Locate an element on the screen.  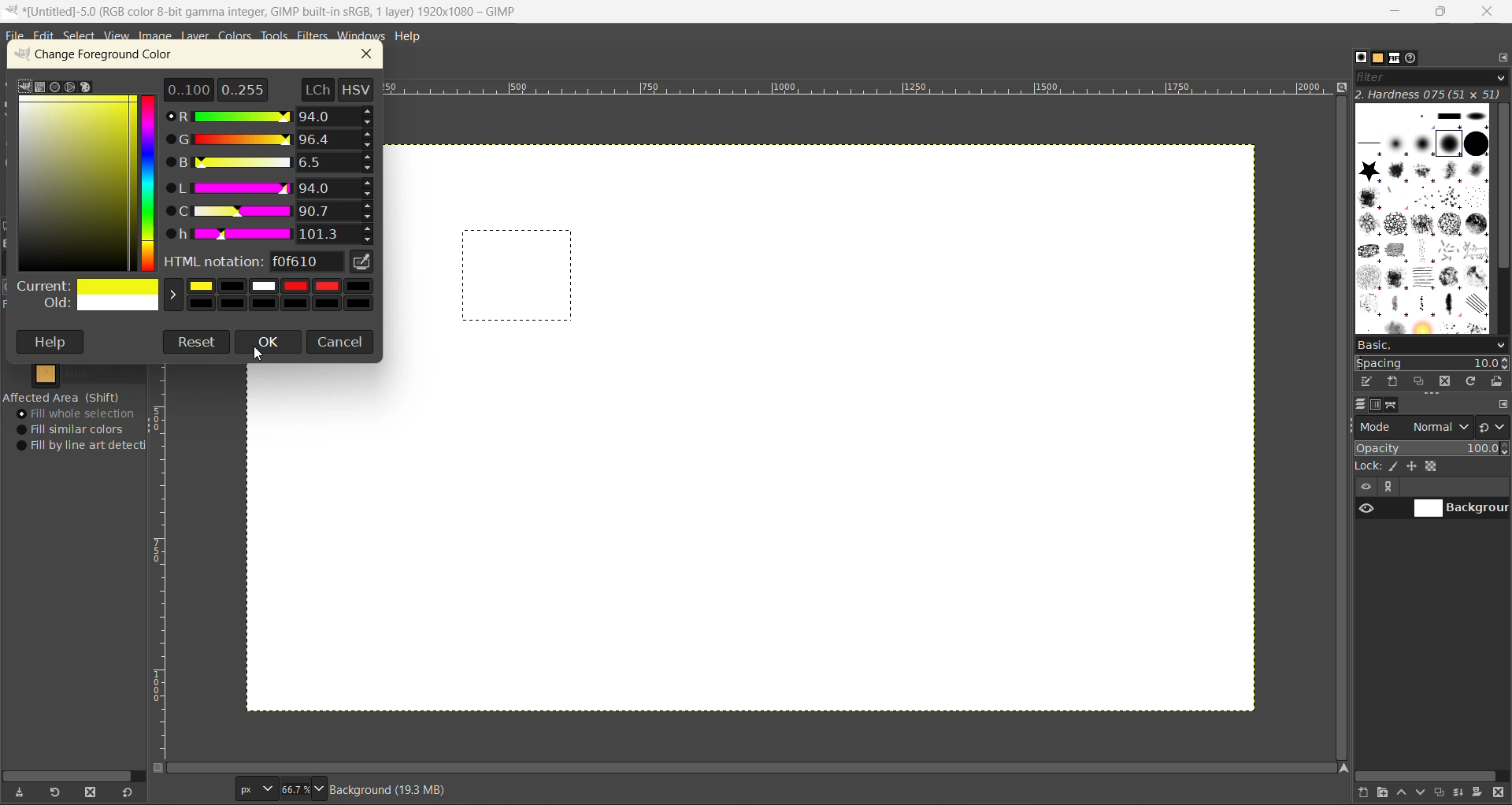
fill whole selection is located at coordinates (81, 414).